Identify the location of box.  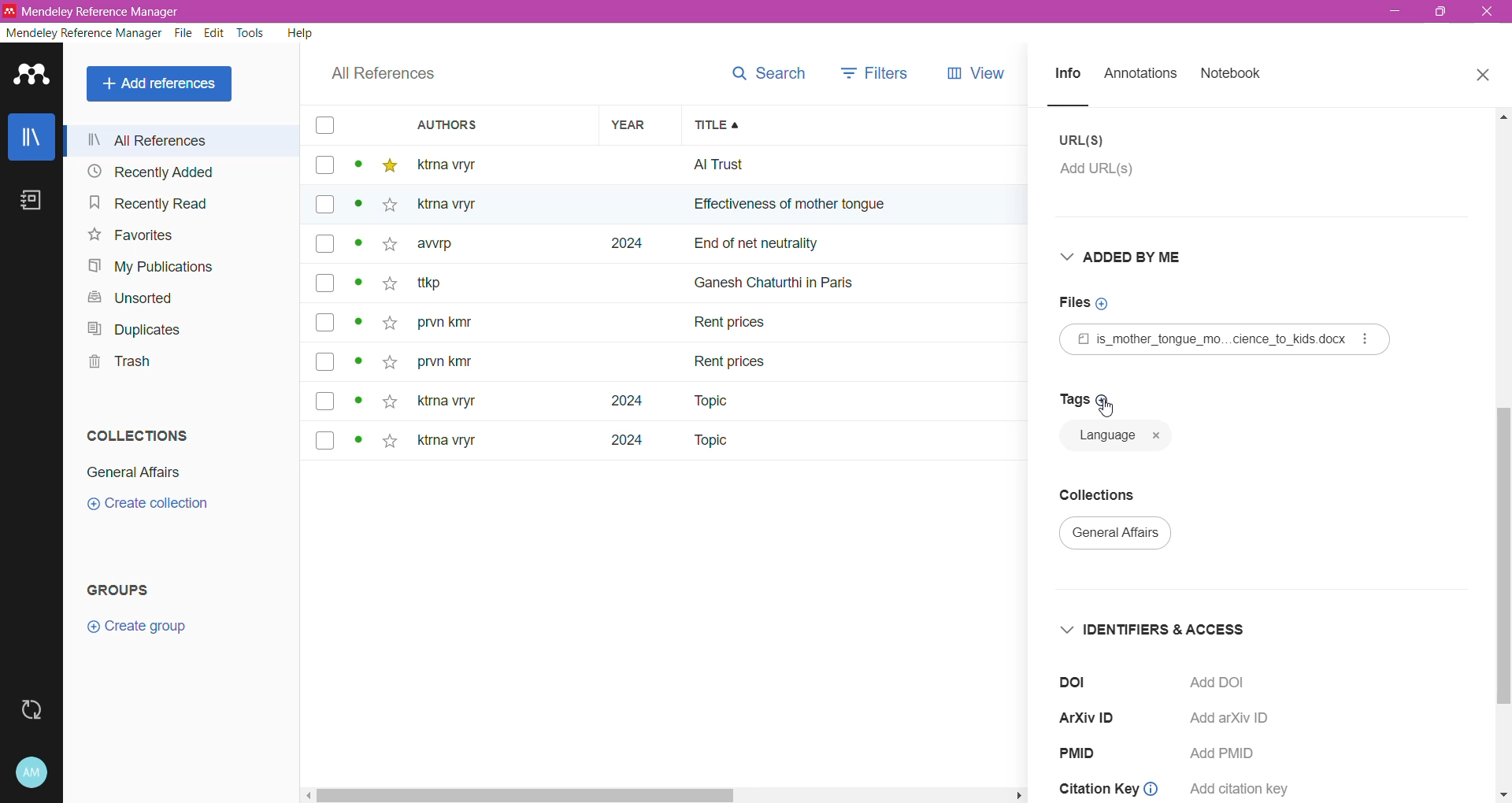
(325, 439).